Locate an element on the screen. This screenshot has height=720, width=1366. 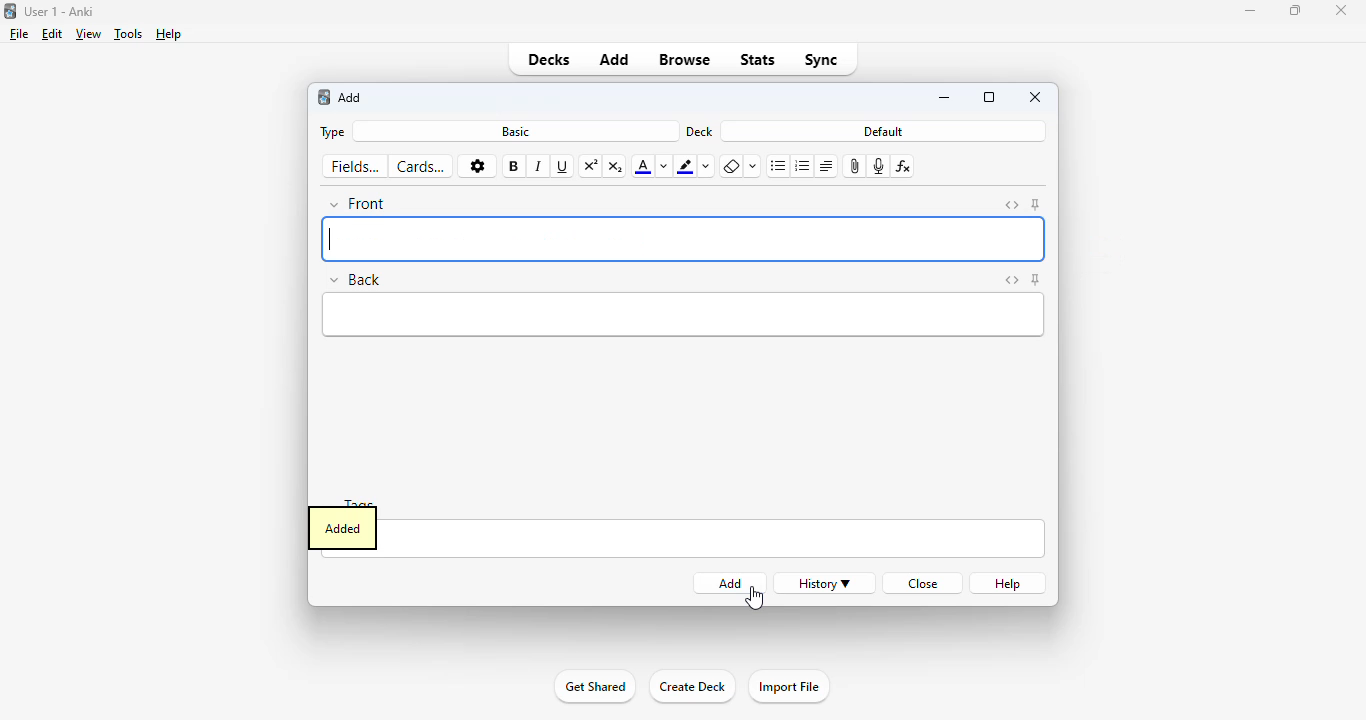
help is located at coordinates (1007, 584).